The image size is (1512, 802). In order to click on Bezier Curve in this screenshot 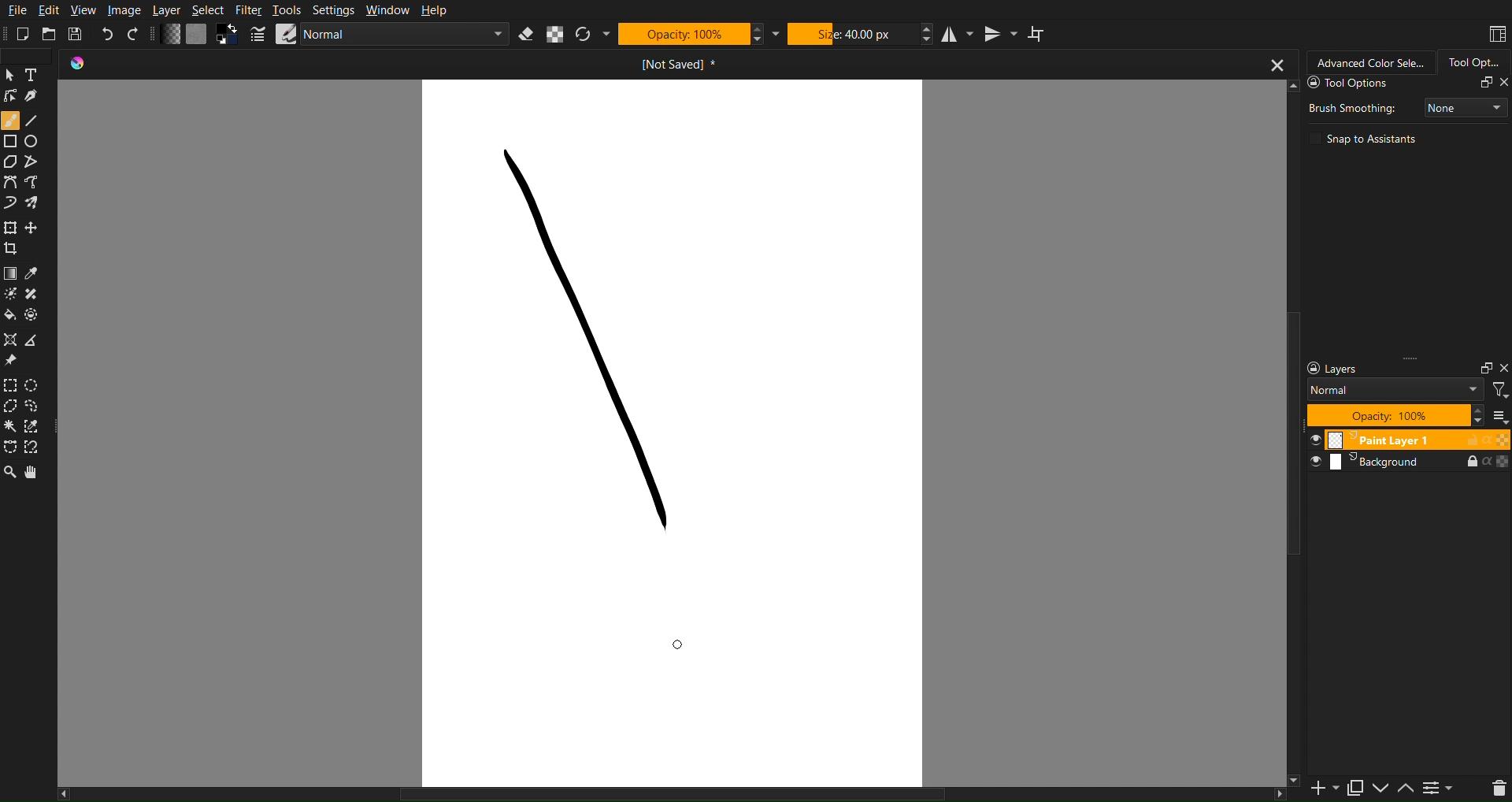, I will do `click(39, 184)`.